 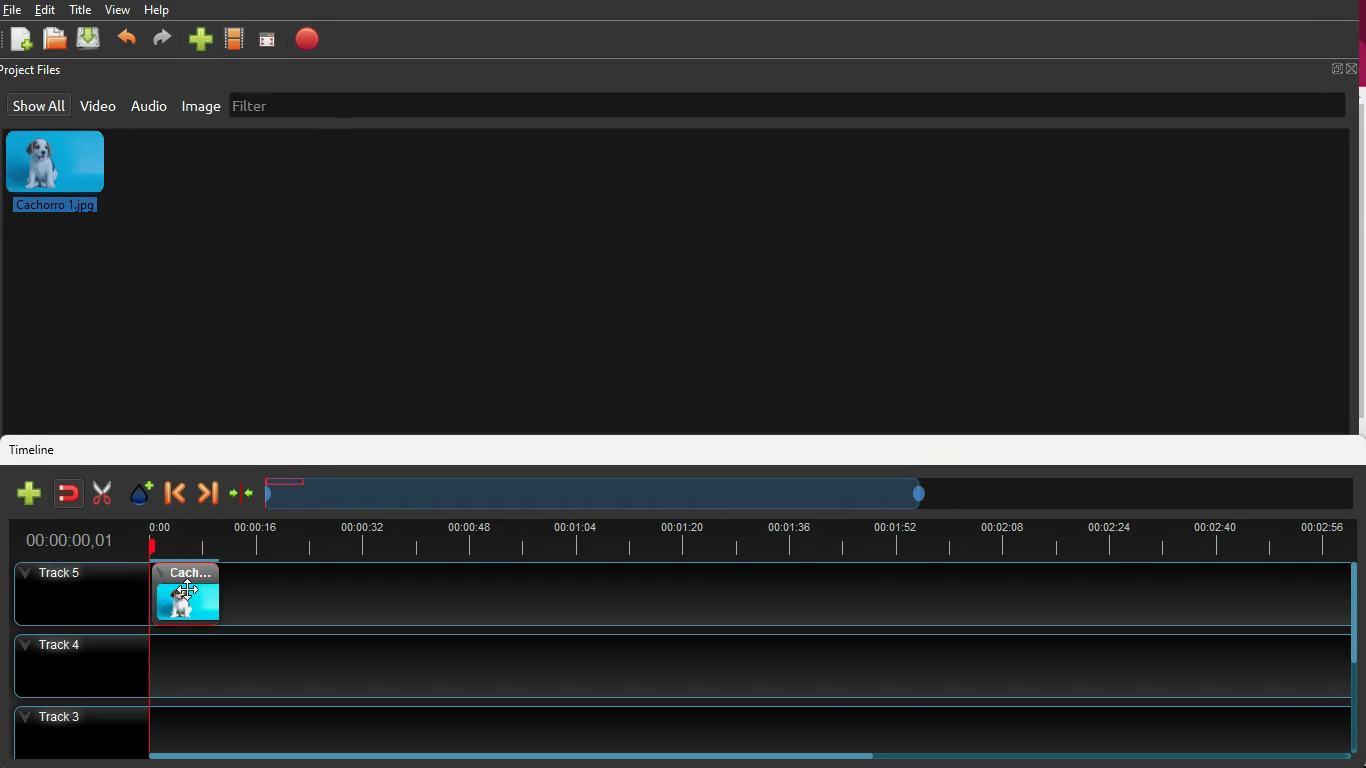 What do you see at coordinates (70, 538) in the screenshot?
I see `time` at bounding box center [70, 538].